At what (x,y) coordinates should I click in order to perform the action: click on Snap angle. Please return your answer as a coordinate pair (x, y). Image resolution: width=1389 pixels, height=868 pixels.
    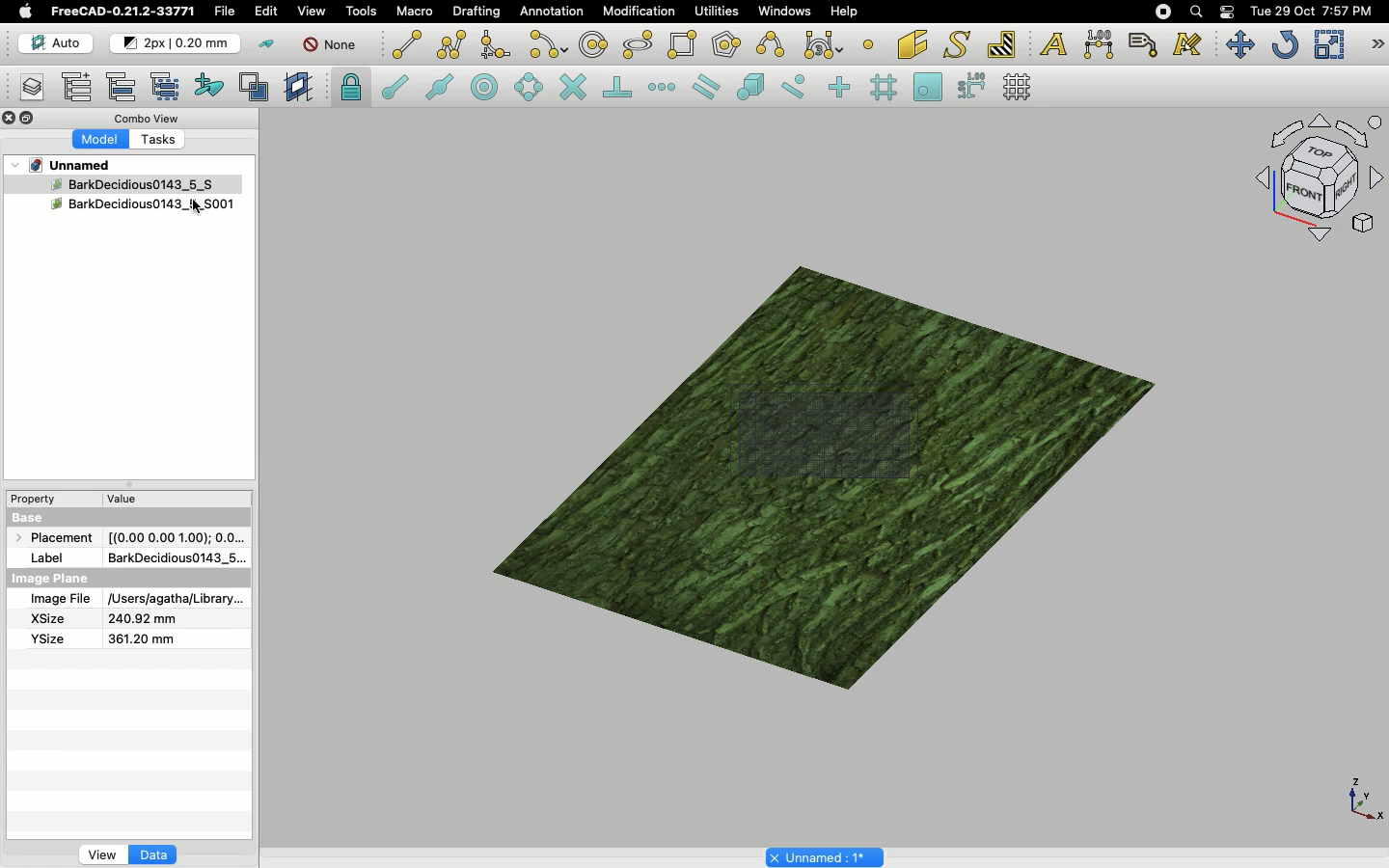
    Looking at the image, I should click on (530, 89).